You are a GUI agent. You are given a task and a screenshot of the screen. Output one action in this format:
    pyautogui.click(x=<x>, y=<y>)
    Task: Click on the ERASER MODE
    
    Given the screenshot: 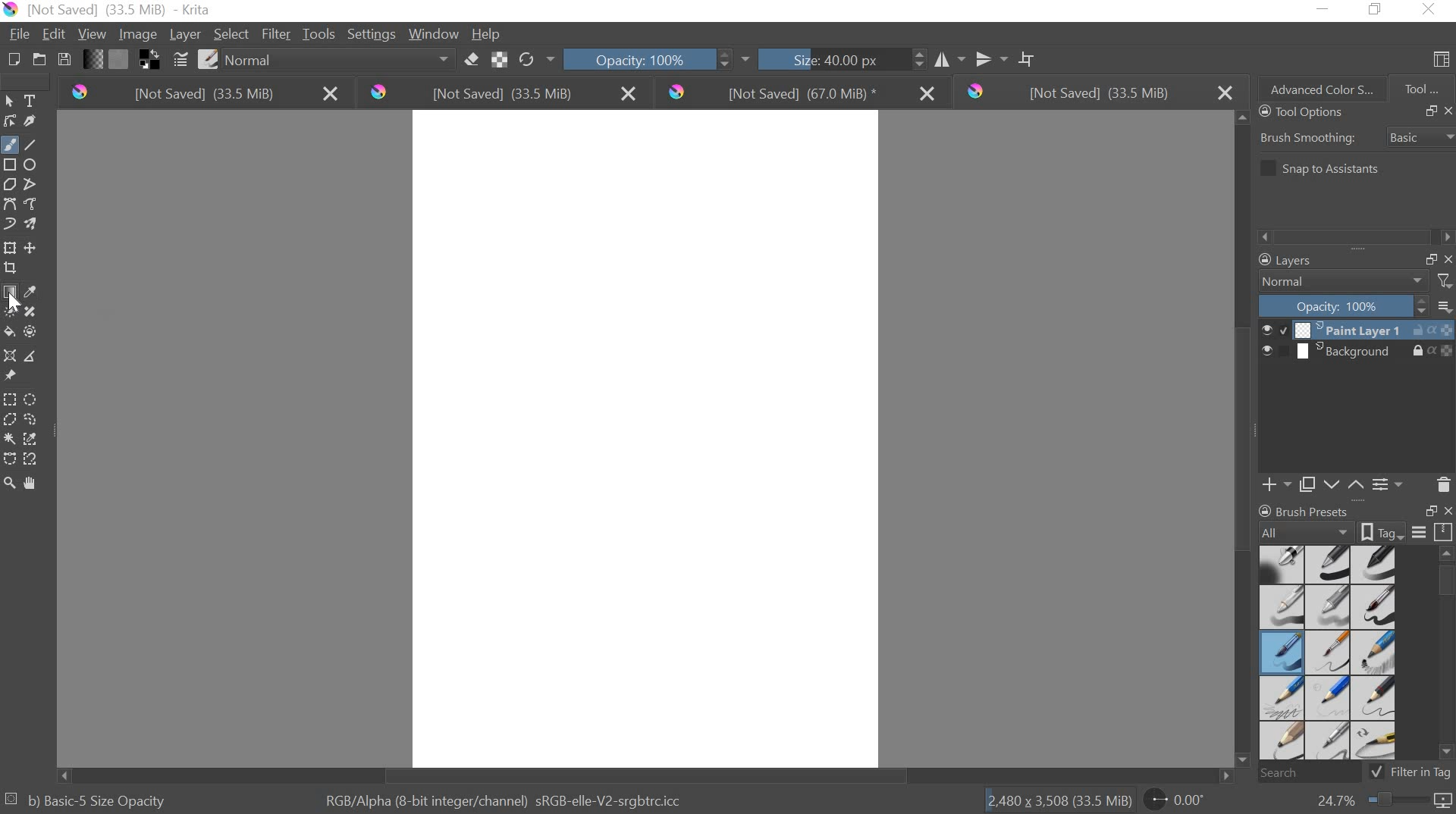 What is the action you would take?
    pyautogui.click(x=470, y=61)
    